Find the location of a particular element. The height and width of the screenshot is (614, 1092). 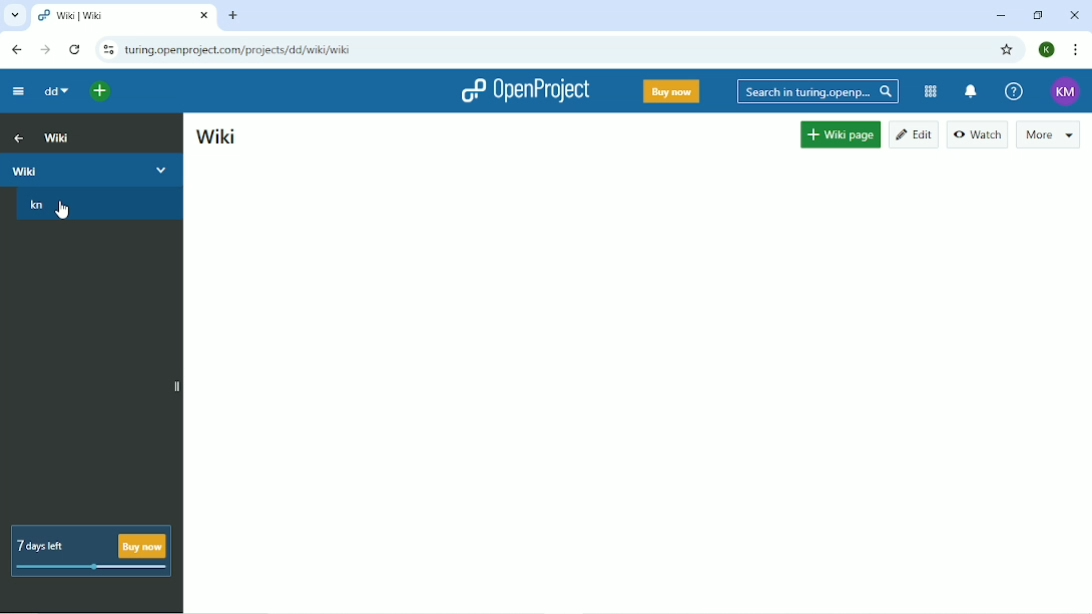

Minimize is located at coordinates (999, 15).